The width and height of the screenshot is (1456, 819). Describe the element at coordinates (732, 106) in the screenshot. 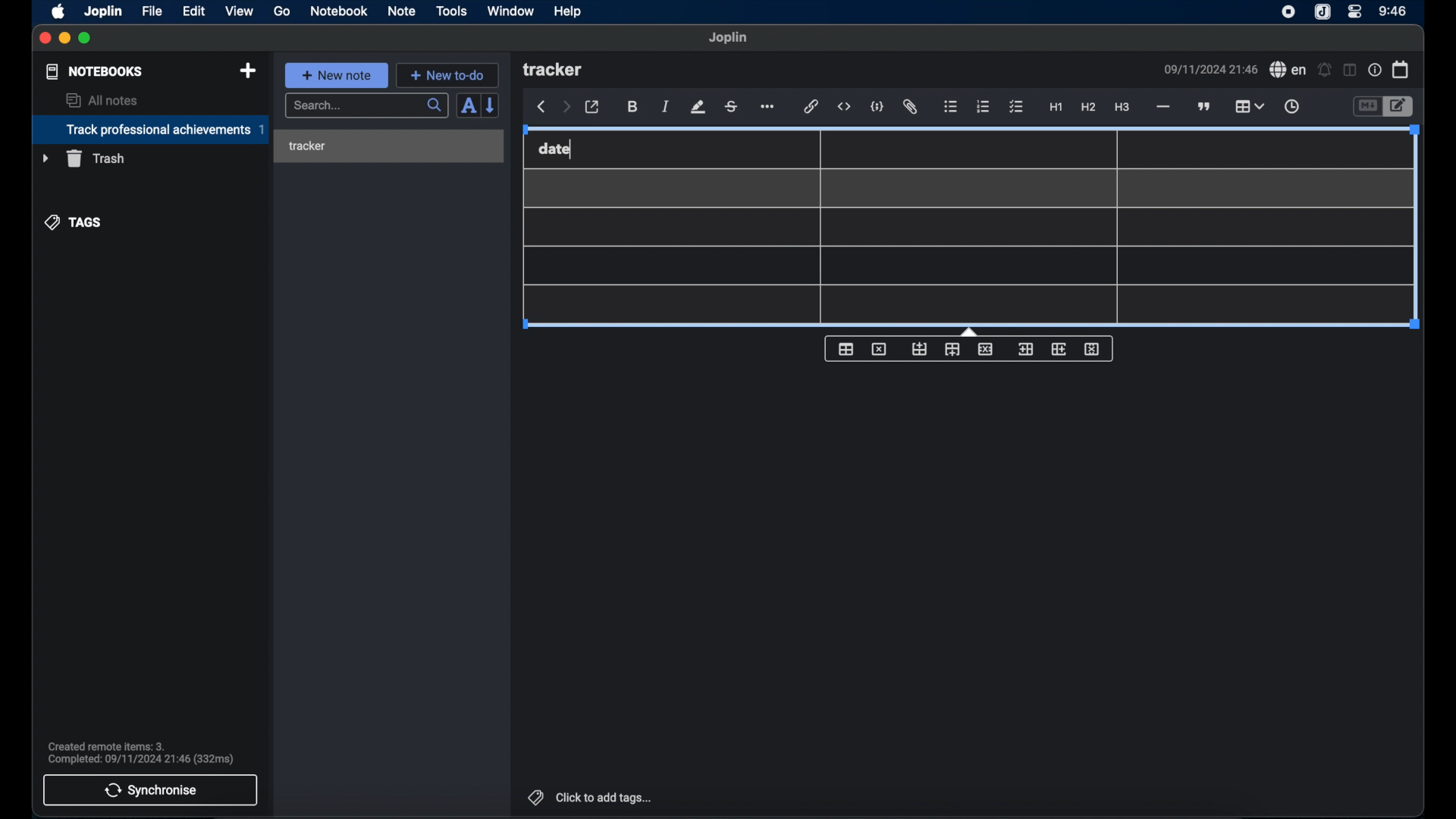

I see `strikethrough` at that location.